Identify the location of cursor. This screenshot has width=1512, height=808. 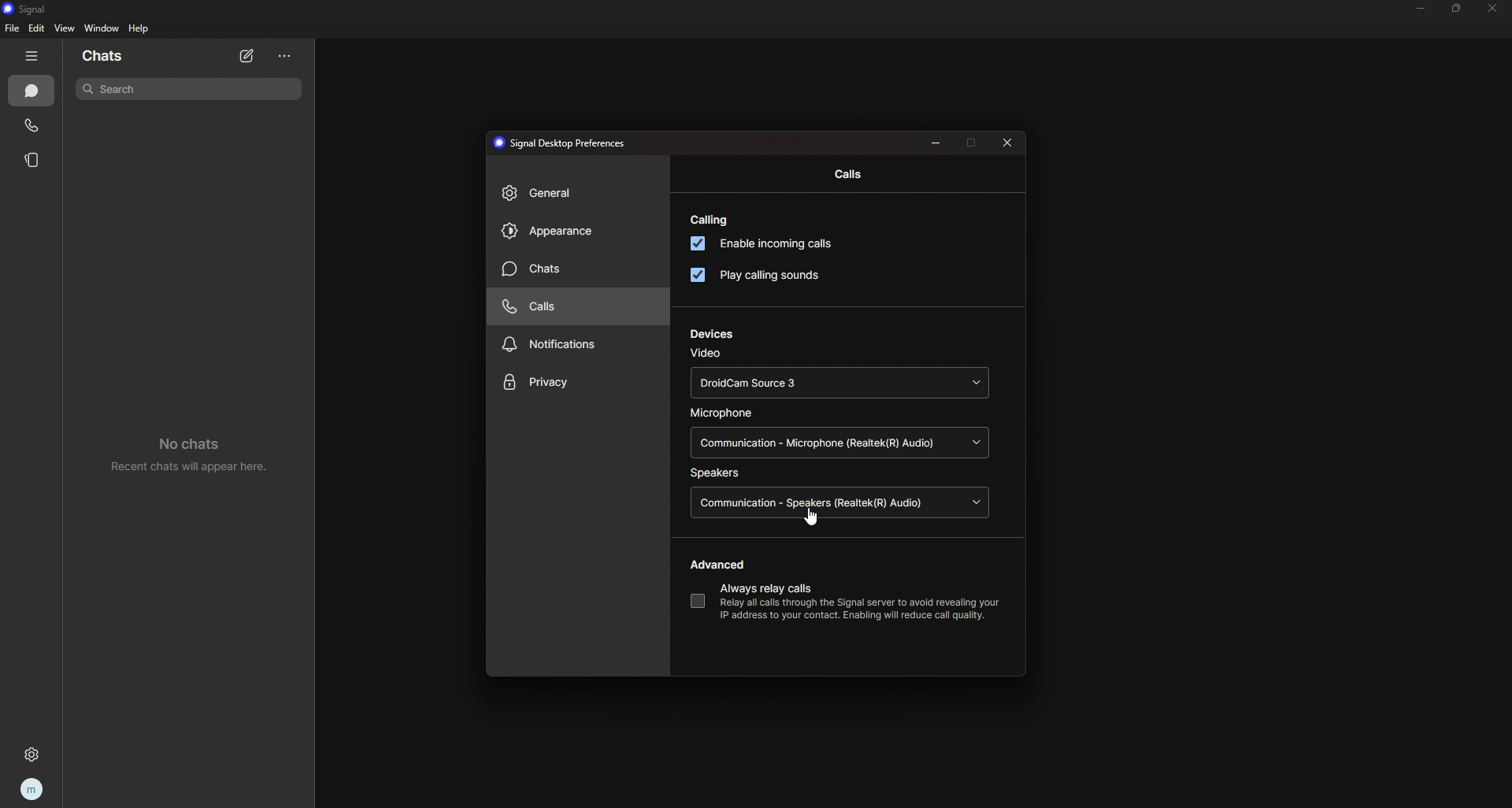
(813, 517).